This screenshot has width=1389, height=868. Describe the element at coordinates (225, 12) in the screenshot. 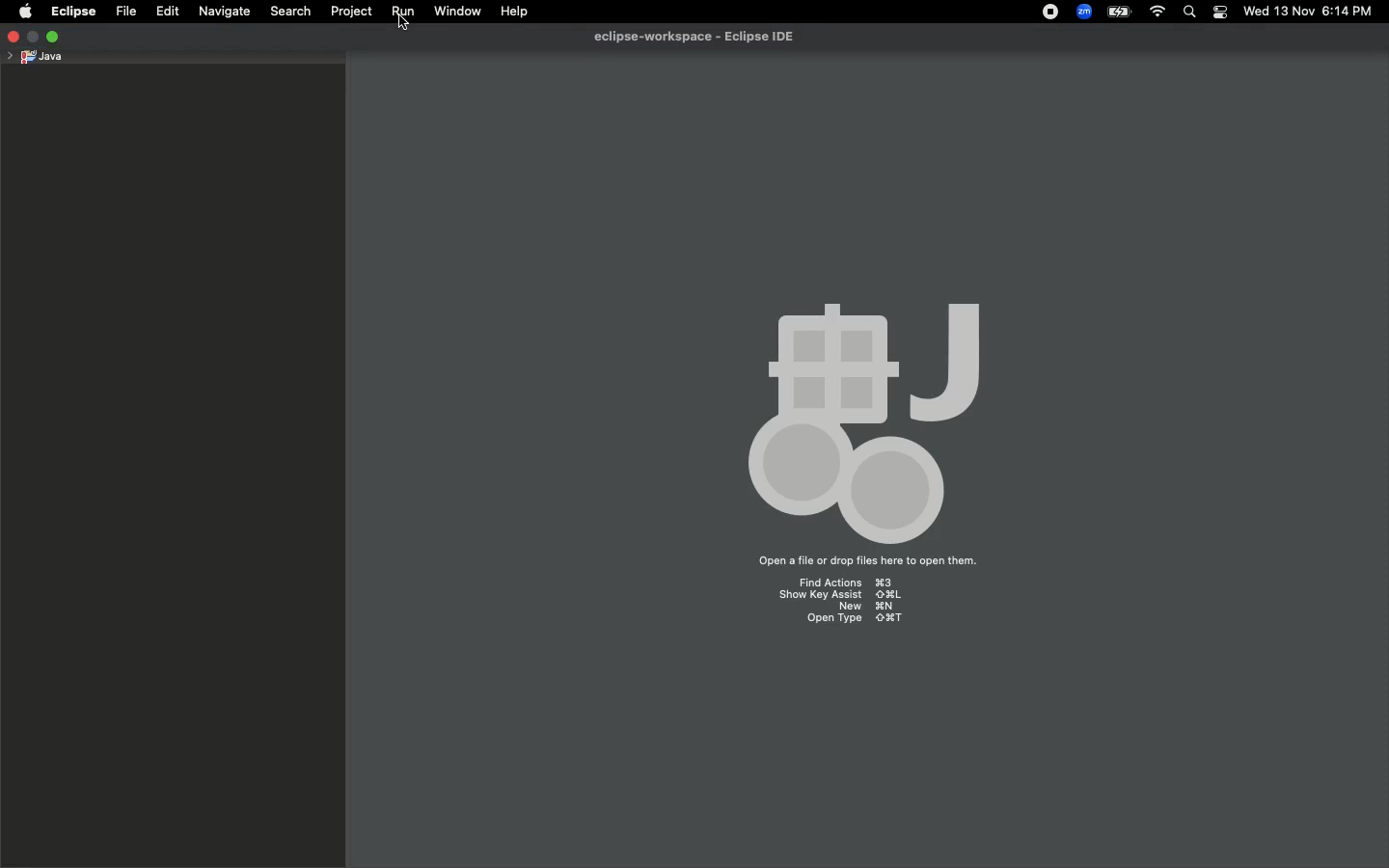

I see `Navigate` at that location.